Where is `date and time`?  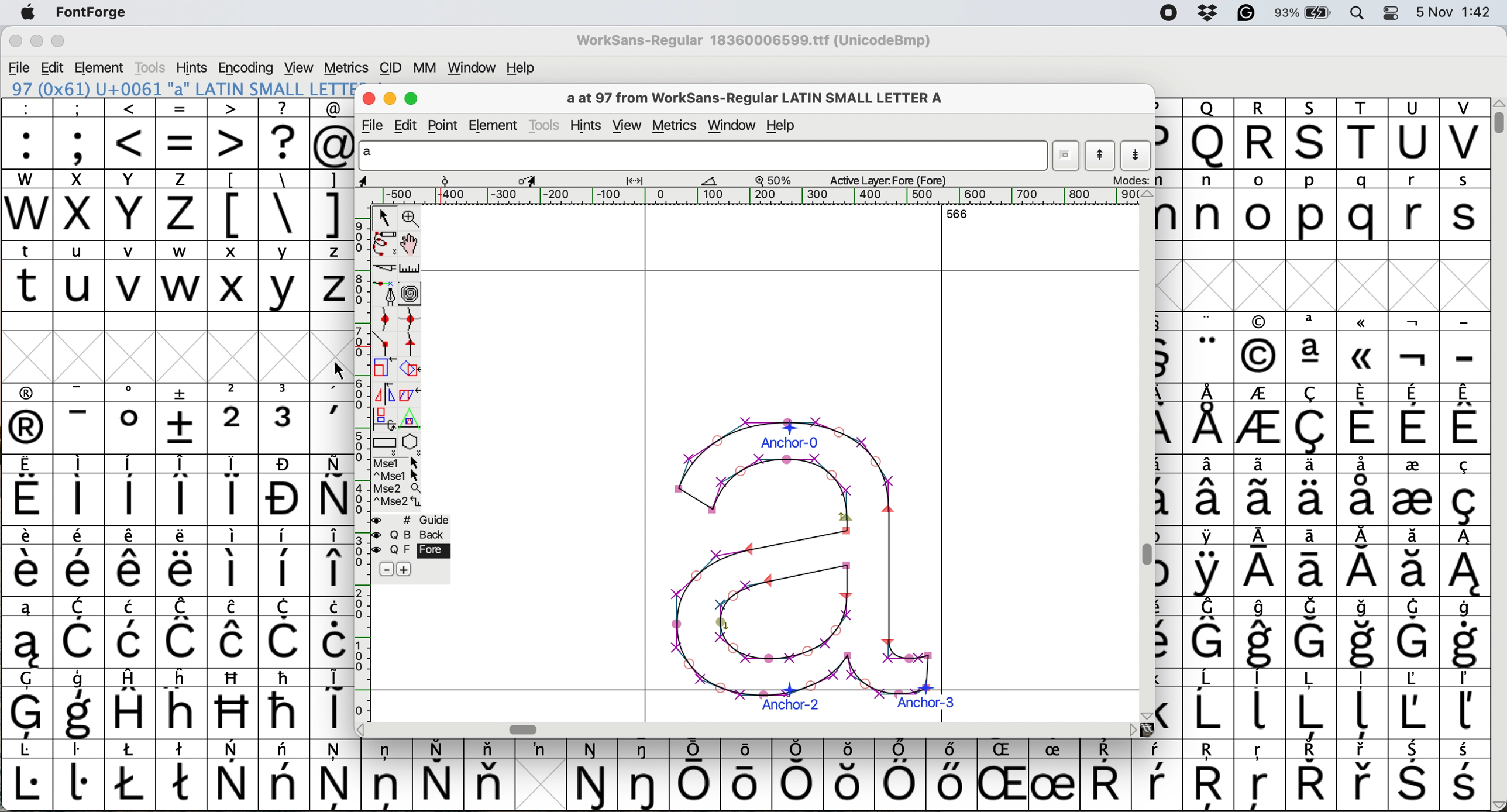 date and time is located at coordinates (1454, 11).